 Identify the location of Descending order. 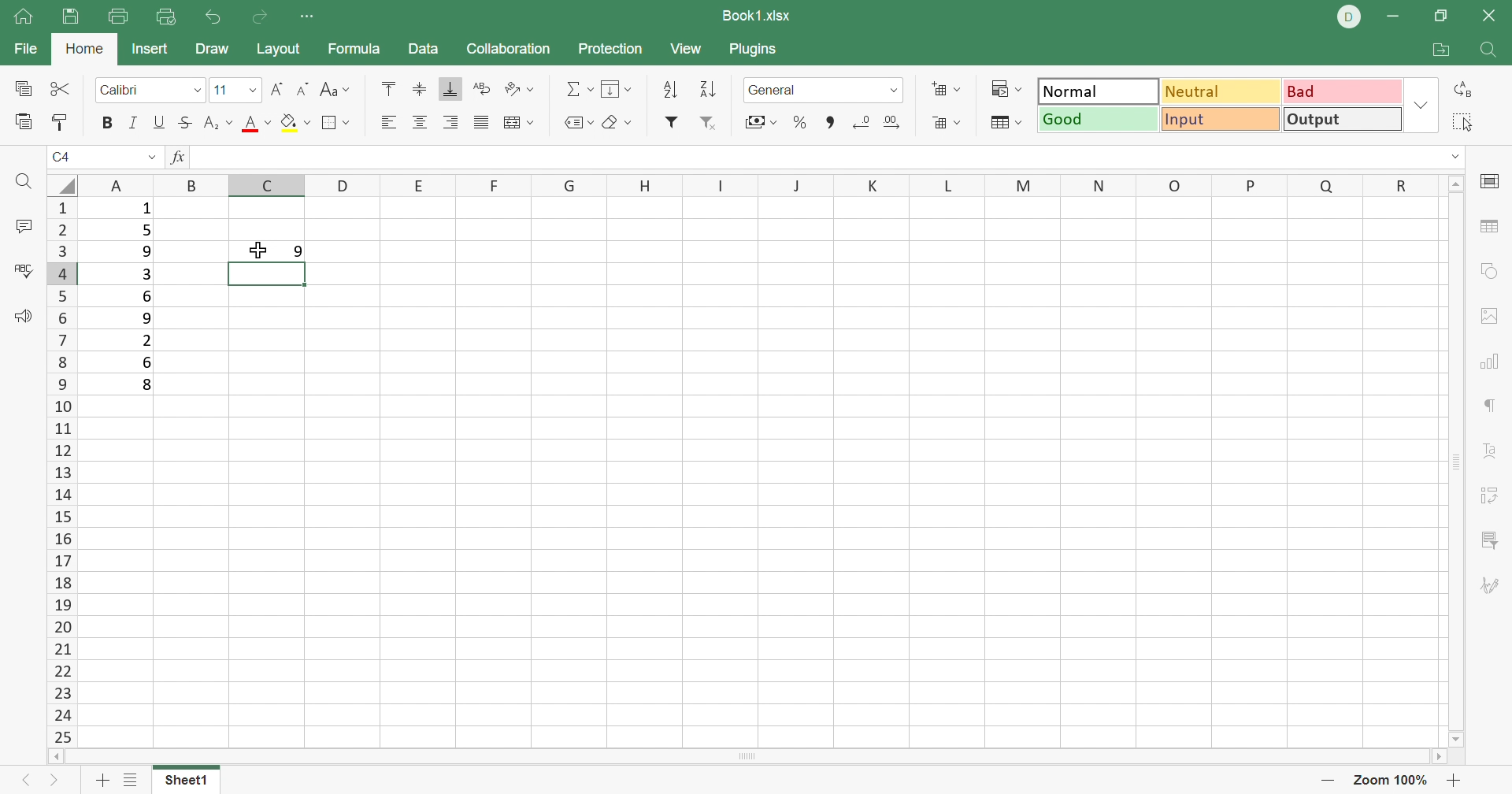
(710, 90).